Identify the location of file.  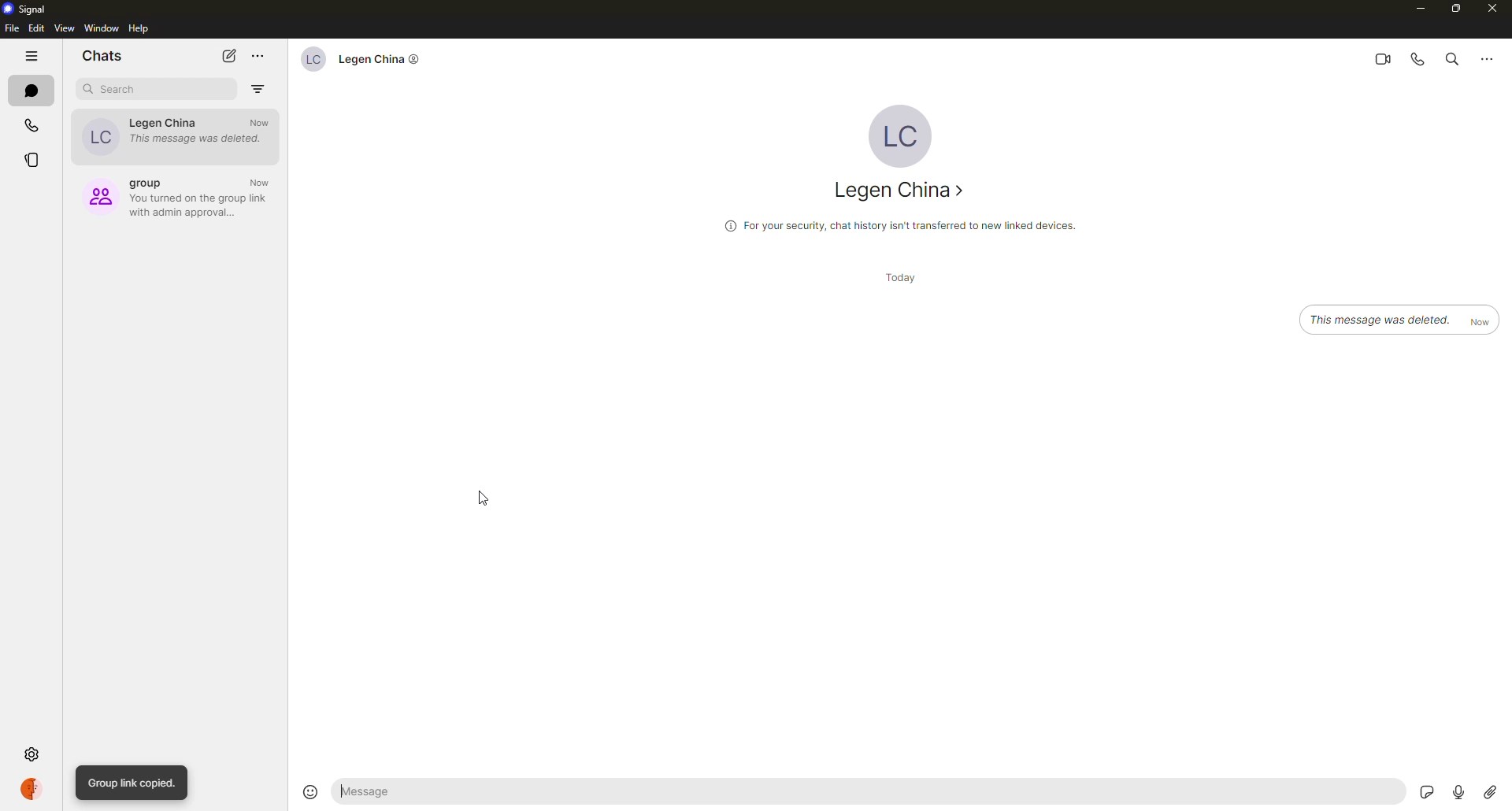
(10, 28).